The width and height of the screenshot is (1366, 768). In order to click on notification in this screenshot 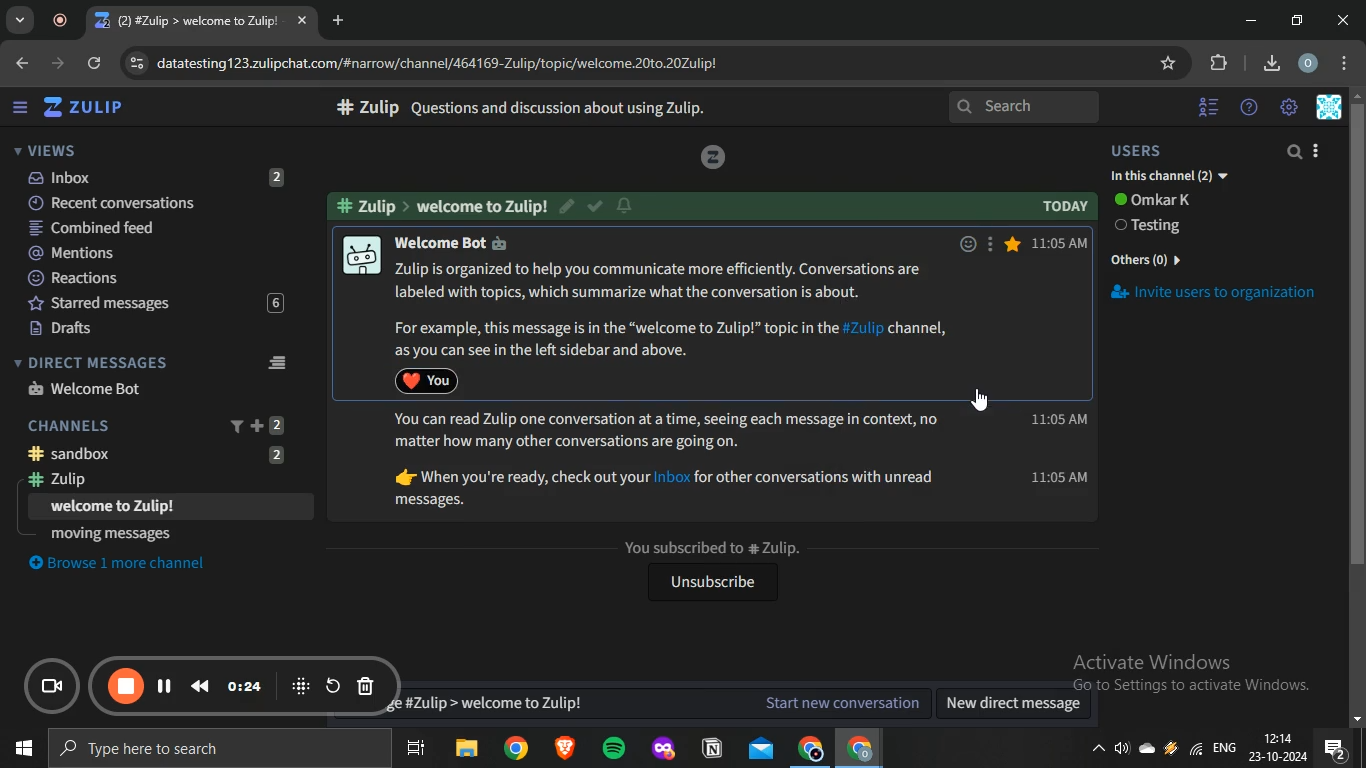, I will do `click(625, 205)`.